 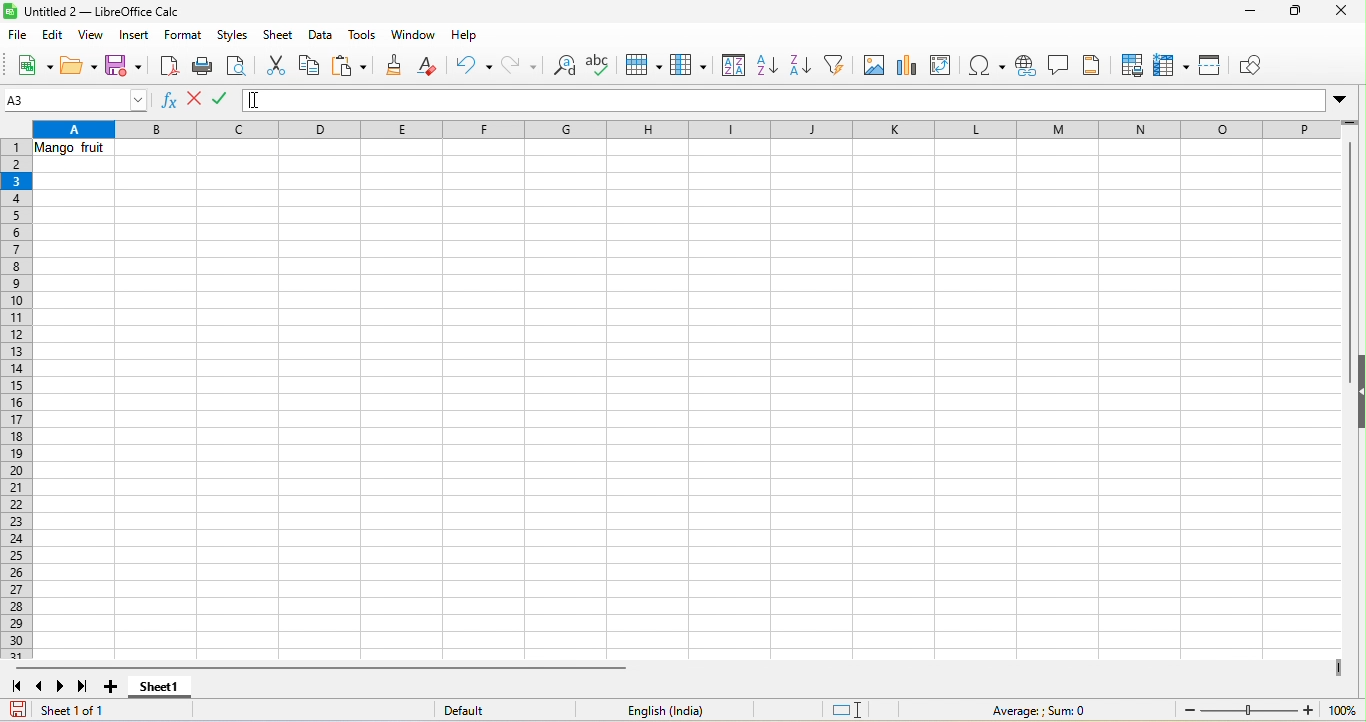 What do you see at coordinates (1248, 13) in the screenshot?
I see `minimize` at bounding box center [1248, 13].